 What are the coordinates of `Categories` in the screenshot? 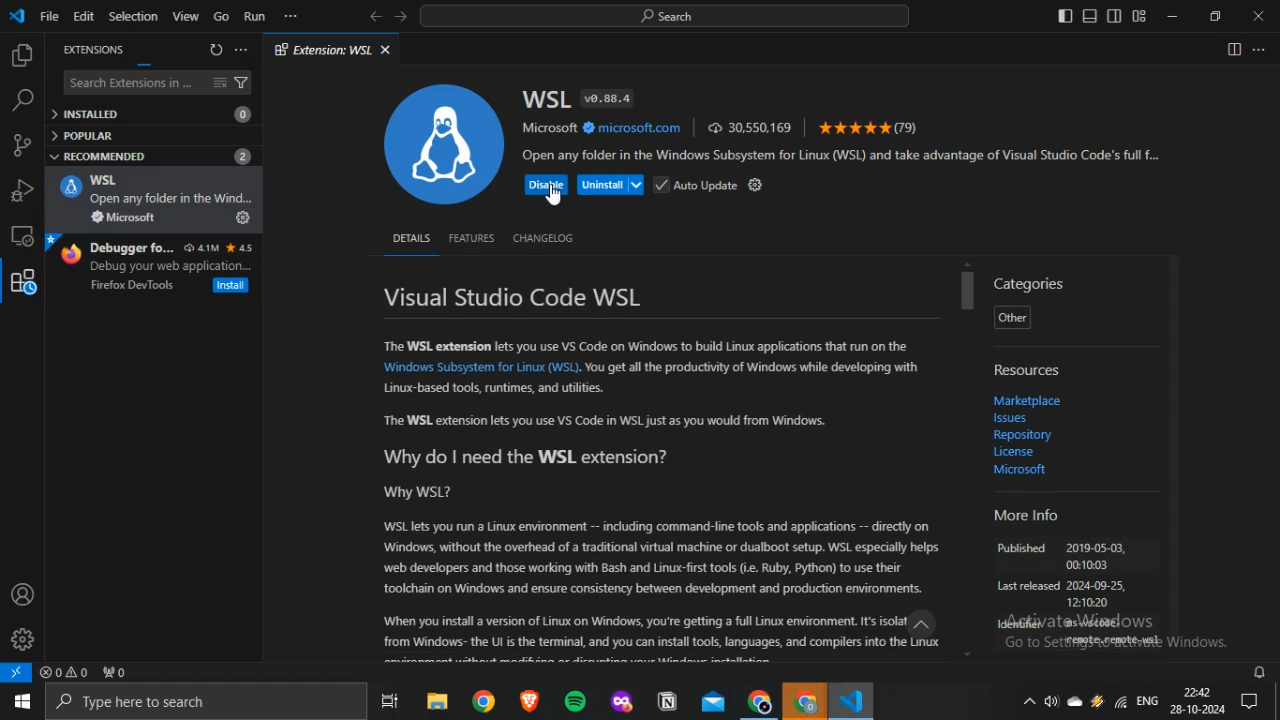 It's located at (1031, 283).